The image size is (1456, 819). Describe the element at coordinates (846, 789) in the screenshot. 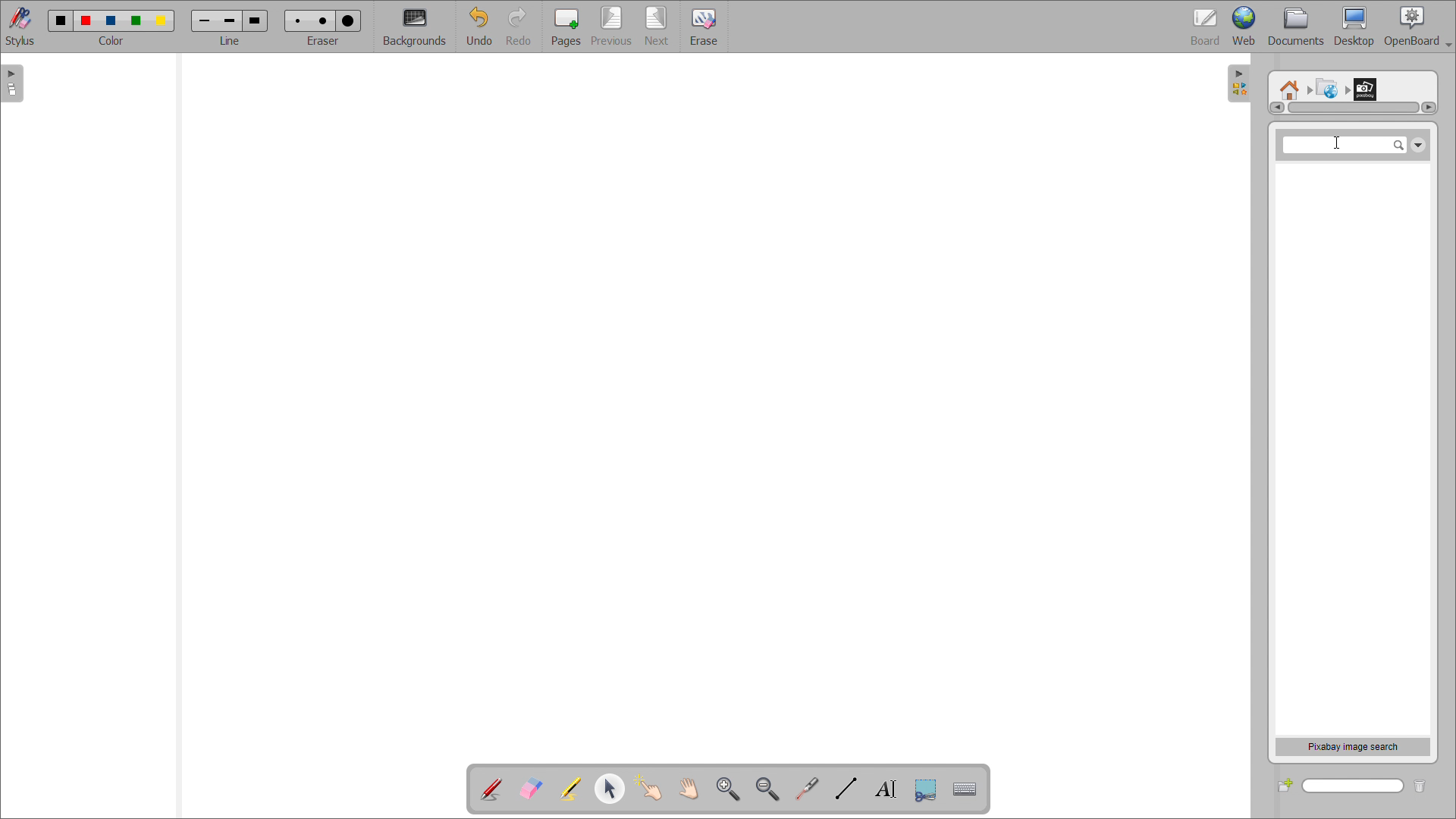

I see `draw lines` at that location.